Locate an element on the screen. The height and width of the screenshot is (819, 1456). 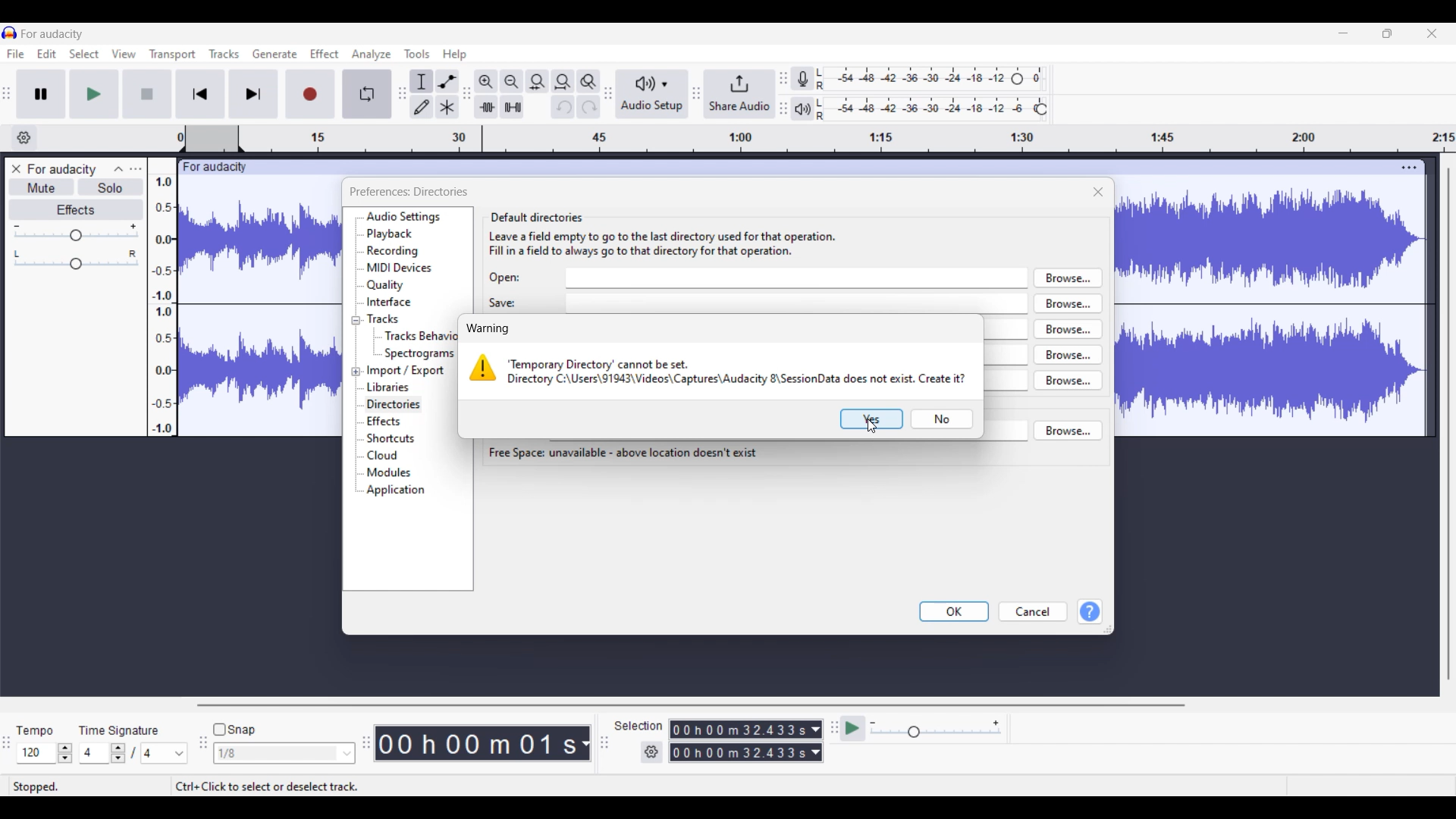
Edit menu is located at coordinates (47, 54).